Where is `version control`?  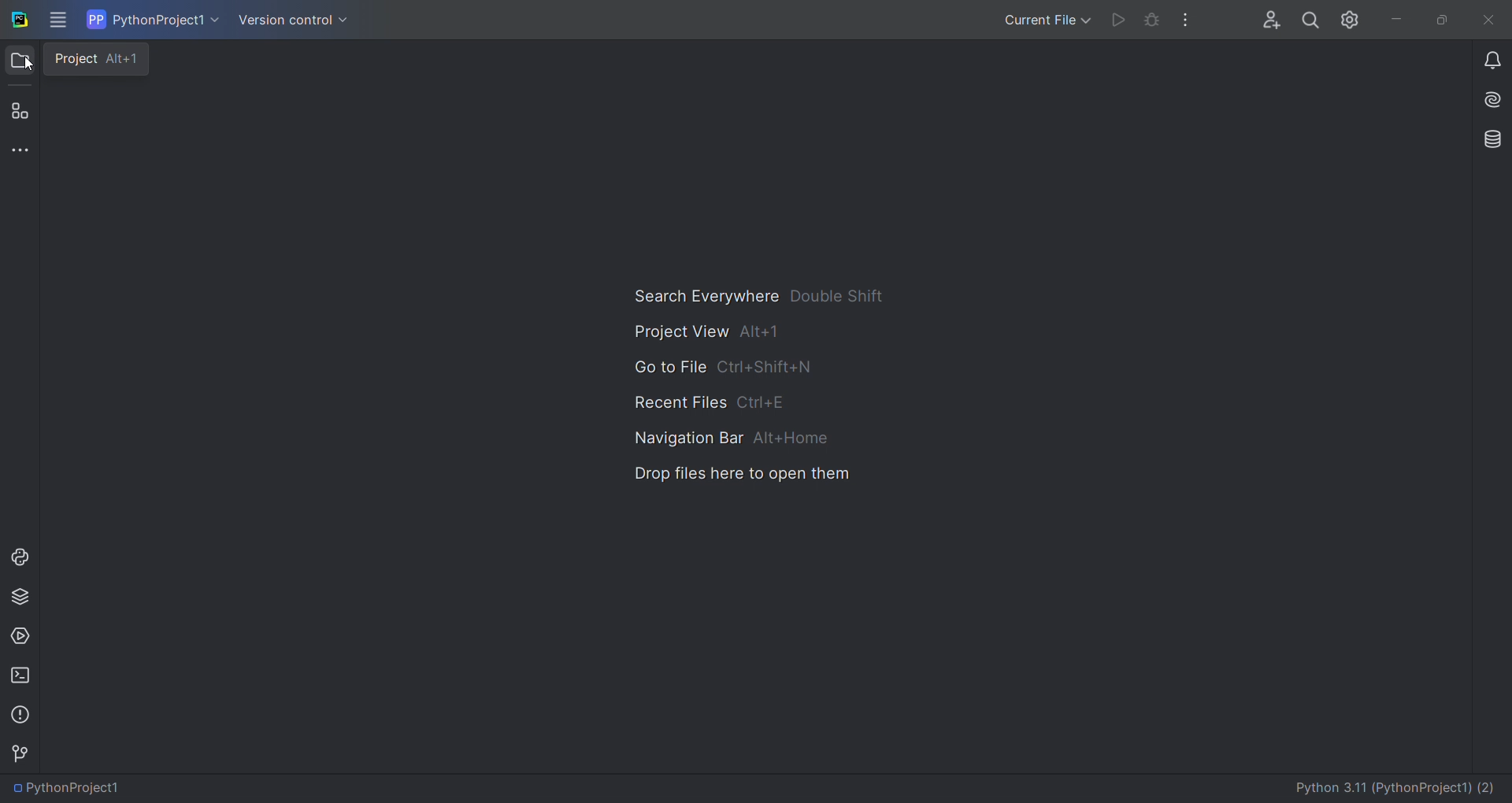 version control is located at coordinates (22, 750).